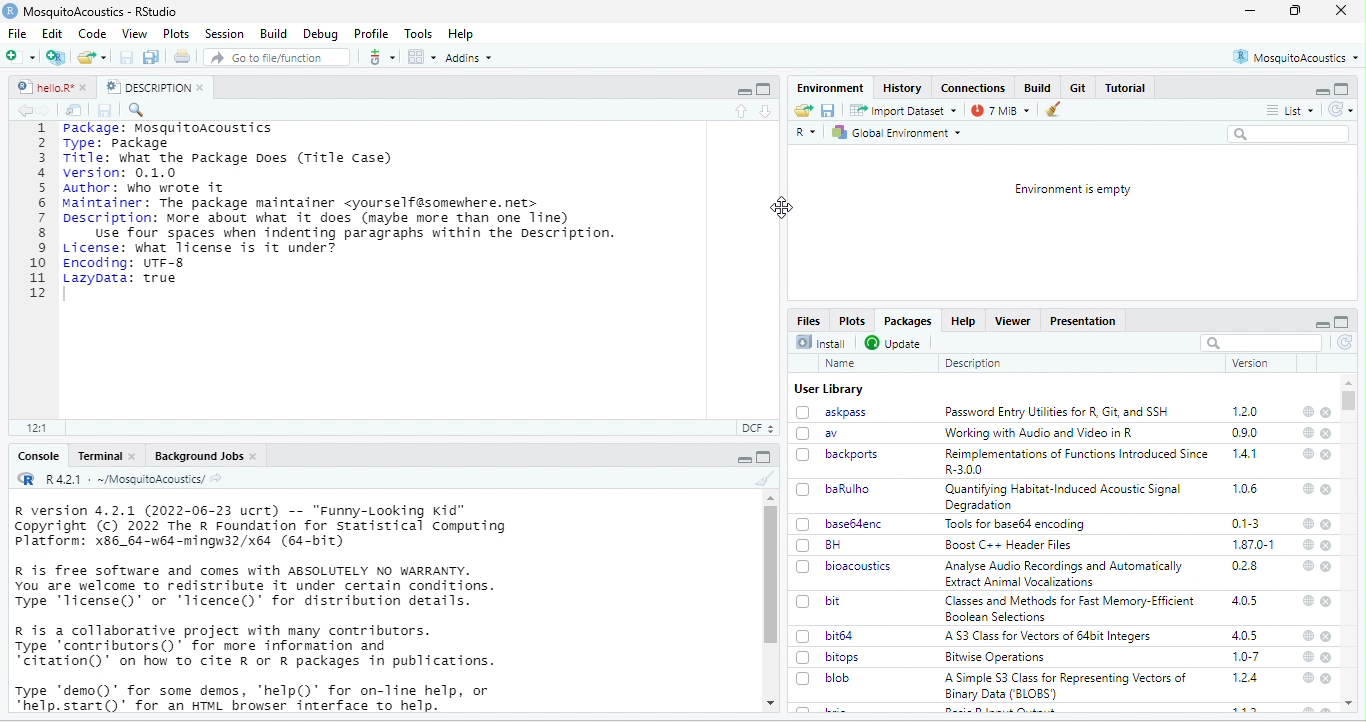  Describe the element at coordinates (828, 87) in the screenshot. I see `Environment` at that location.